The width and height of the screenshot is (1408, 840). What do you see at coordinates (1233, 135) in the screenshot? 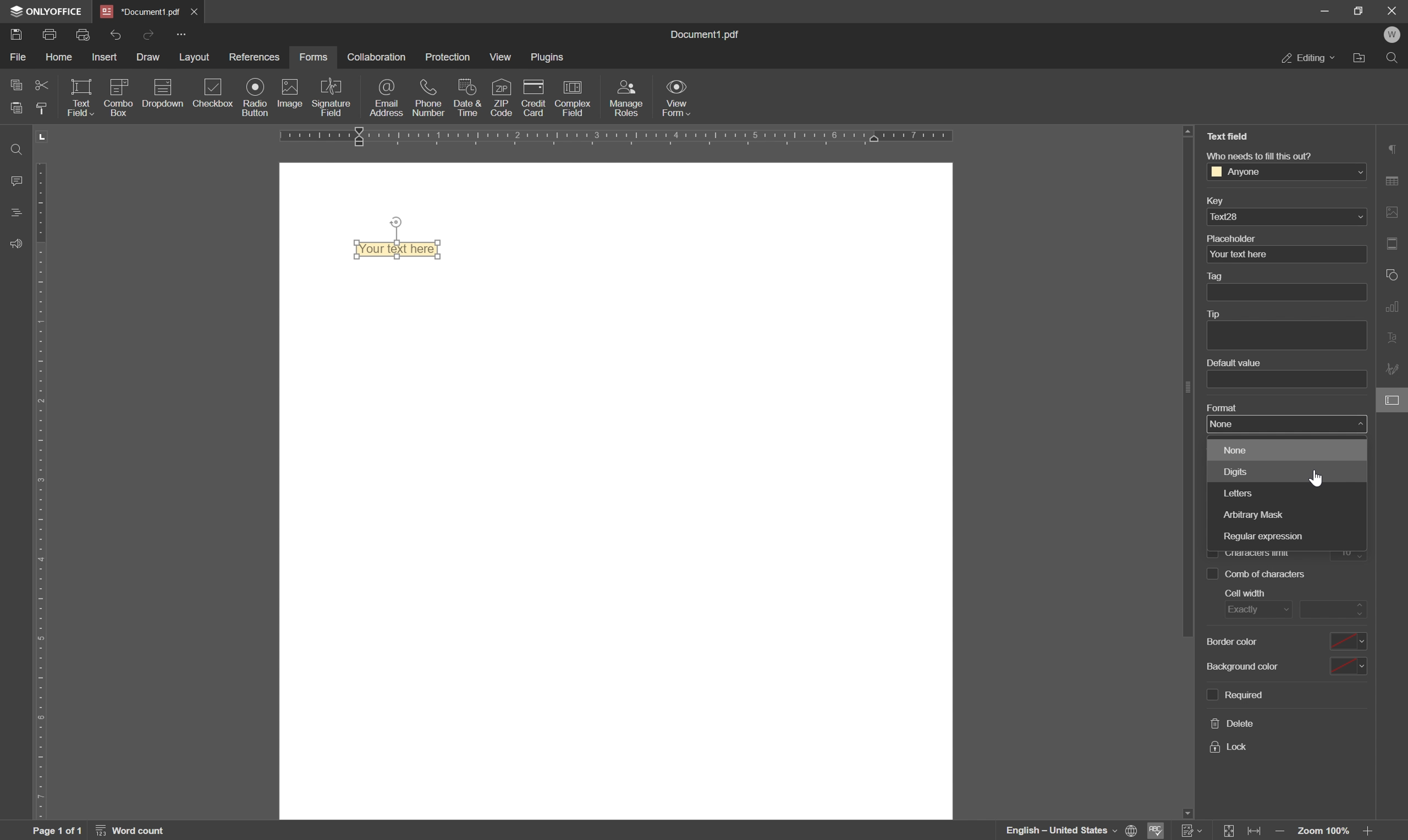
I see `Text field` at bounding box center [1233, 135].